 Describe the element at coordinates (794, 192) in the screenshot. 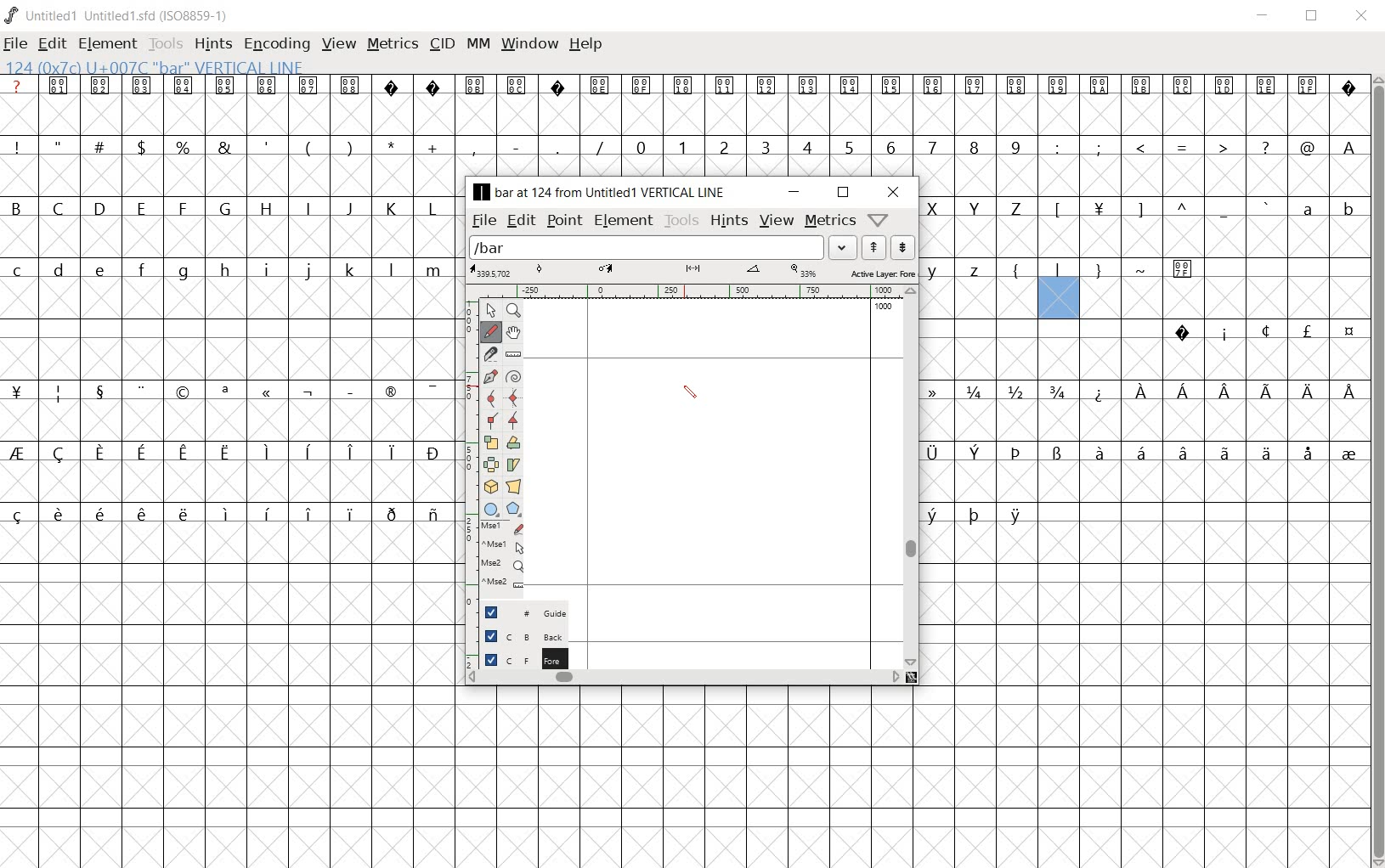

I see `minimize` at that location.